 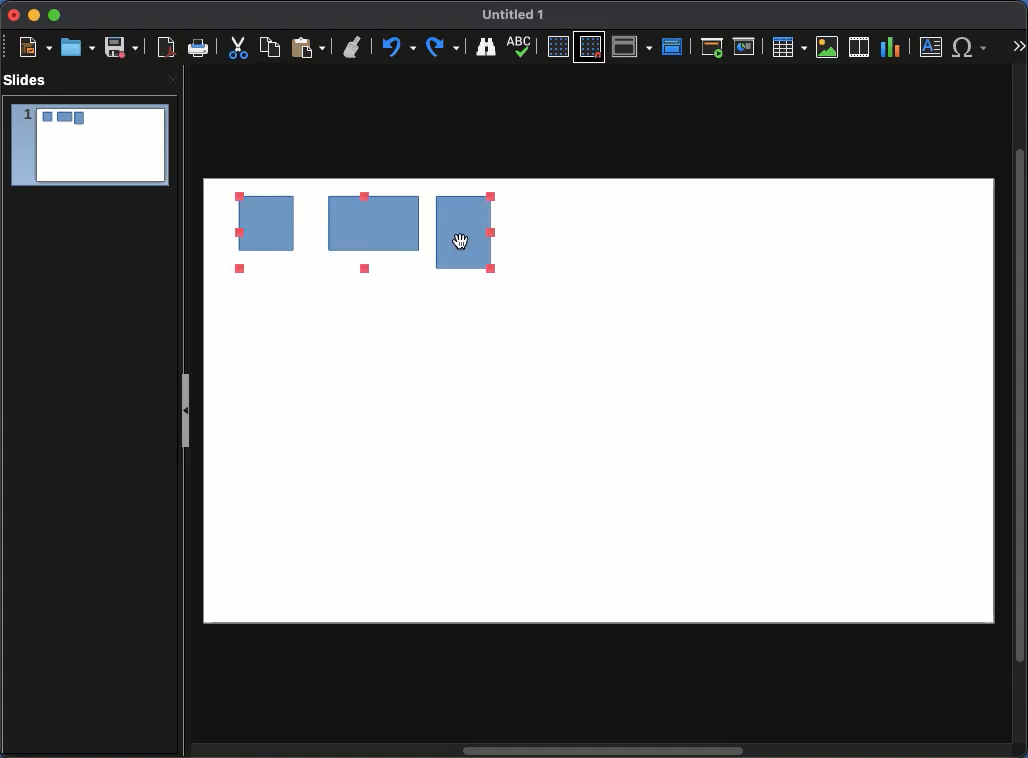 What do you see at coordinates (171, 82) in the screenshot?
I see `Close` at bounding box center [171, 82].